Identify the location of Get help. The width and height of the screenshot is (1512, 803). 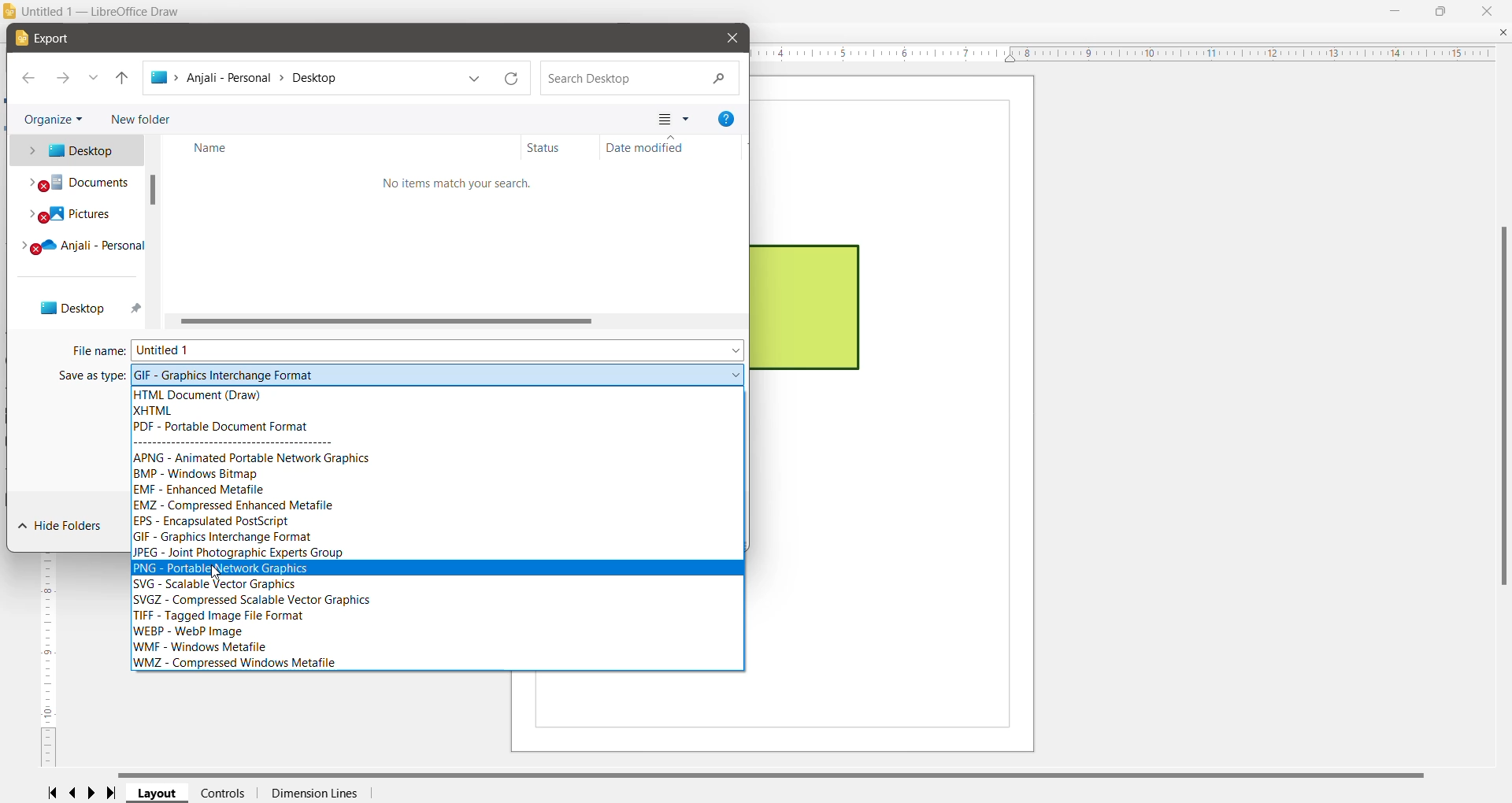
(726, 119).